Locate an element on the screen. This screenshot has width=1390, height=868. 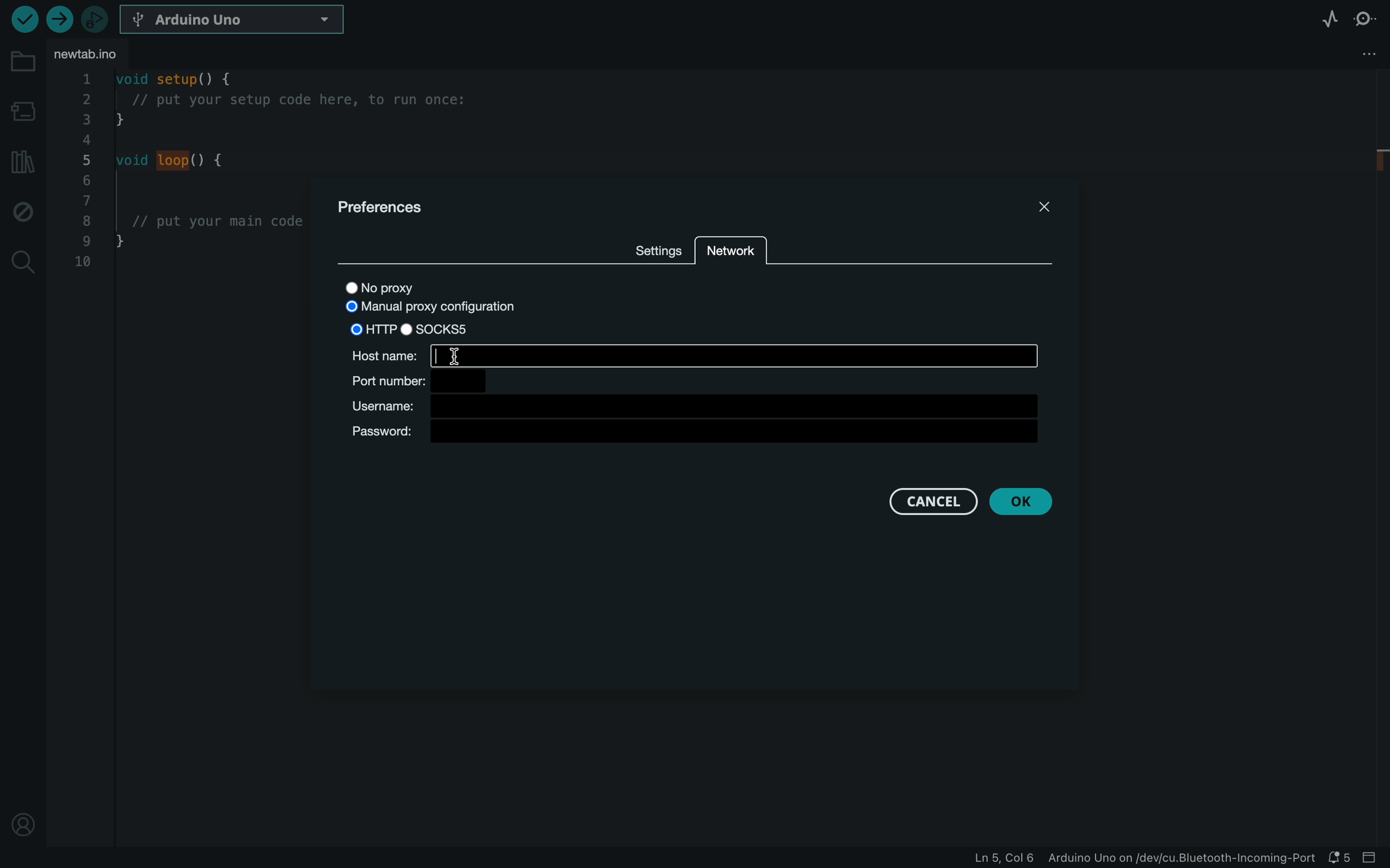
port number is located at coordinates (437, 380).